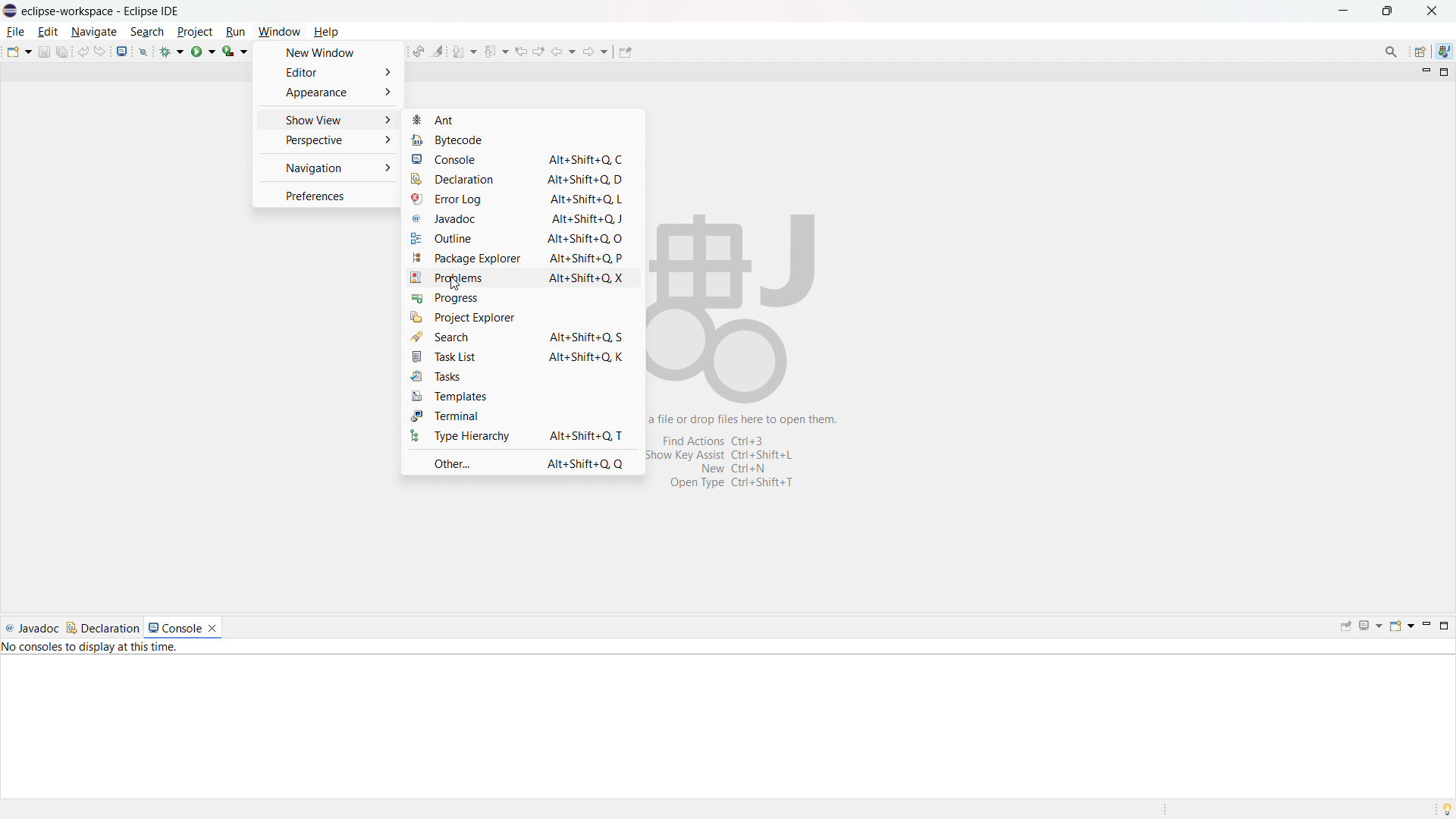  Describe the element at coordinates (1427, 626) in the screenshot. I see `minimize` at that location.